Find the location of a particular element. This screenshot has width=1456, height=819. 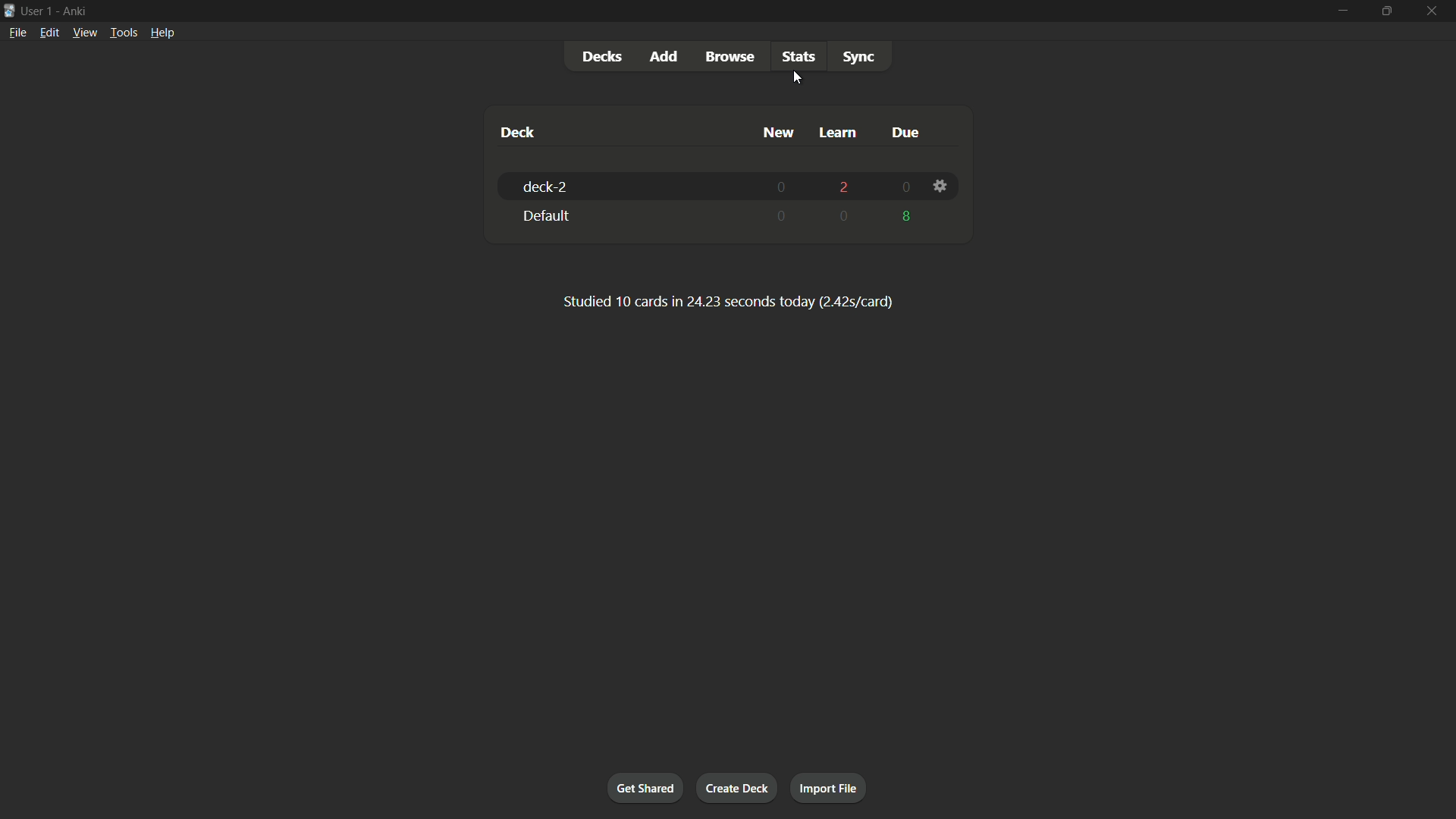

Edit is located at coordinates (49, 35).